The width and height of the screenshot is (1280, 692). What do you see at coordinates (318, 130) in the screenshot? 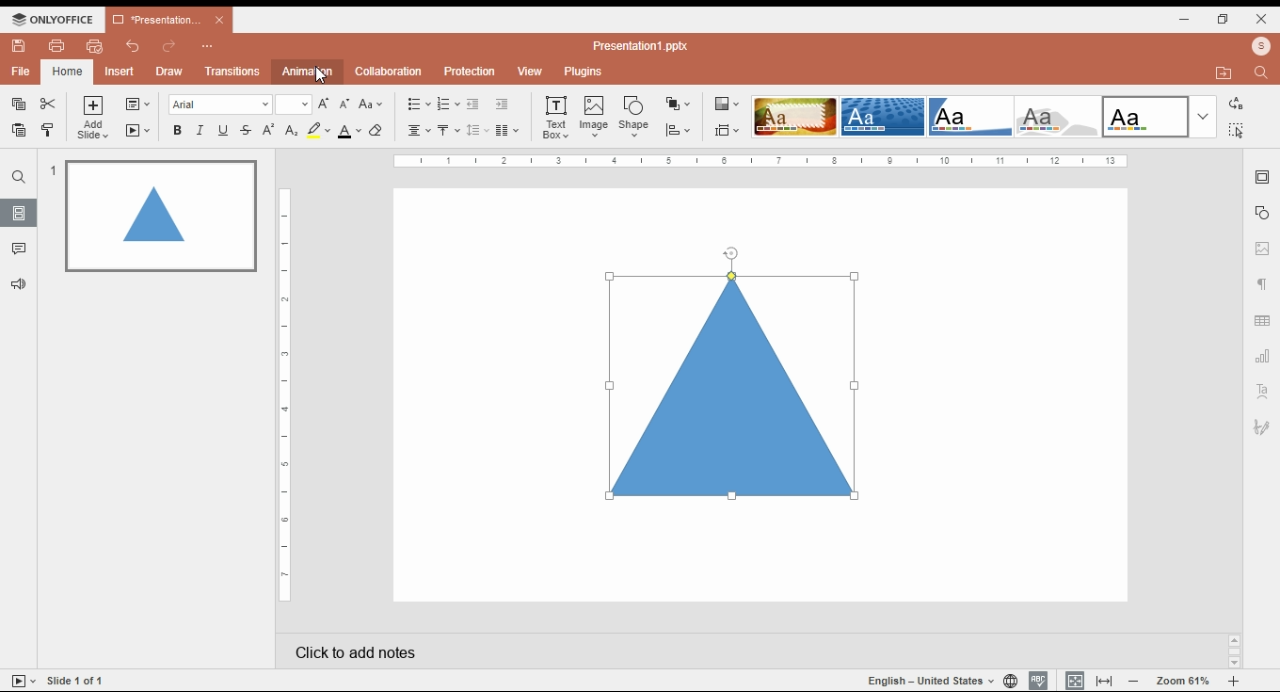
I see `highlight color` at bounding box center [318, 130].